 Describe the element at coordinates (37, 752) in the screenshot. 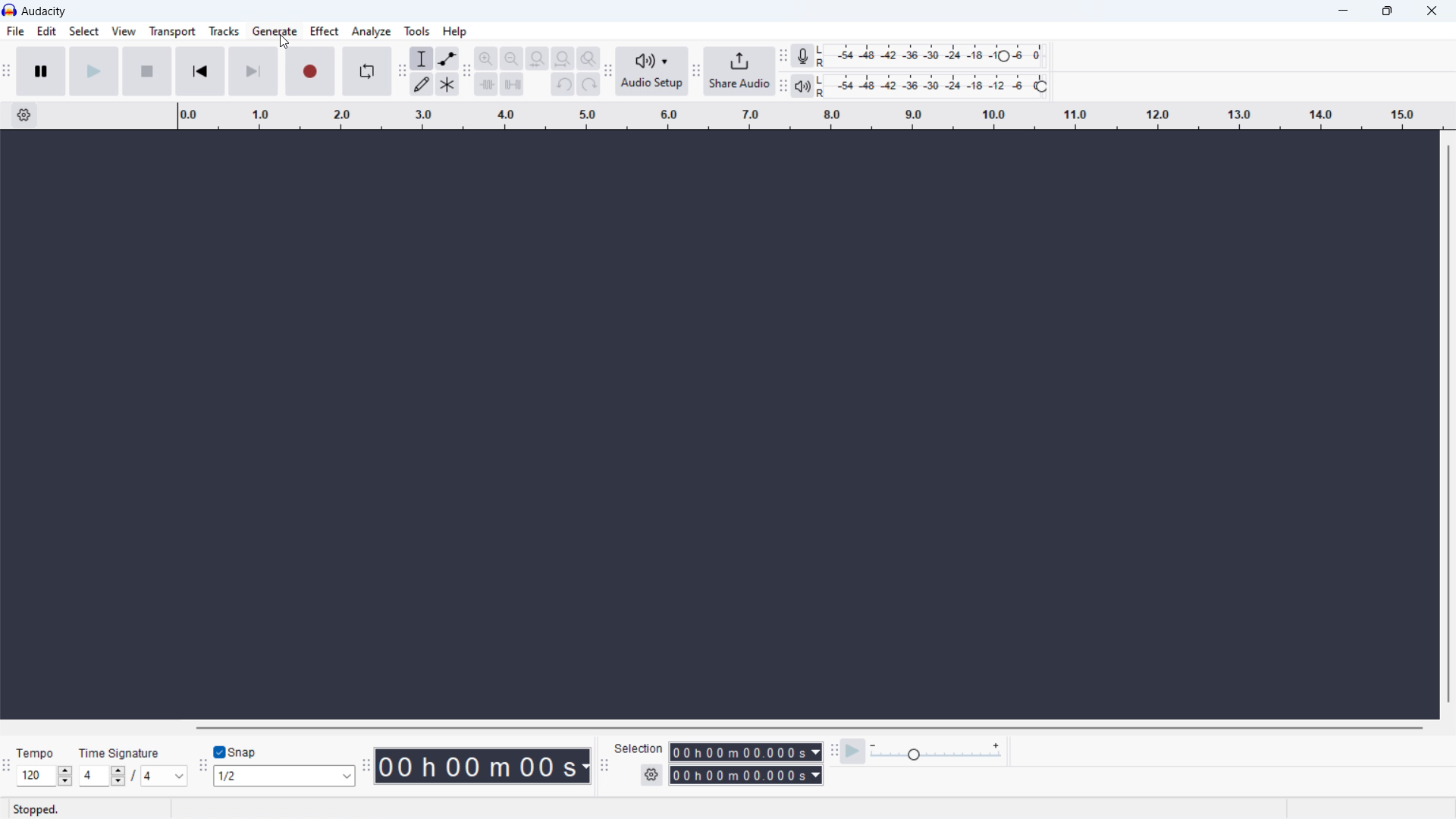

I see `Time` at that location.